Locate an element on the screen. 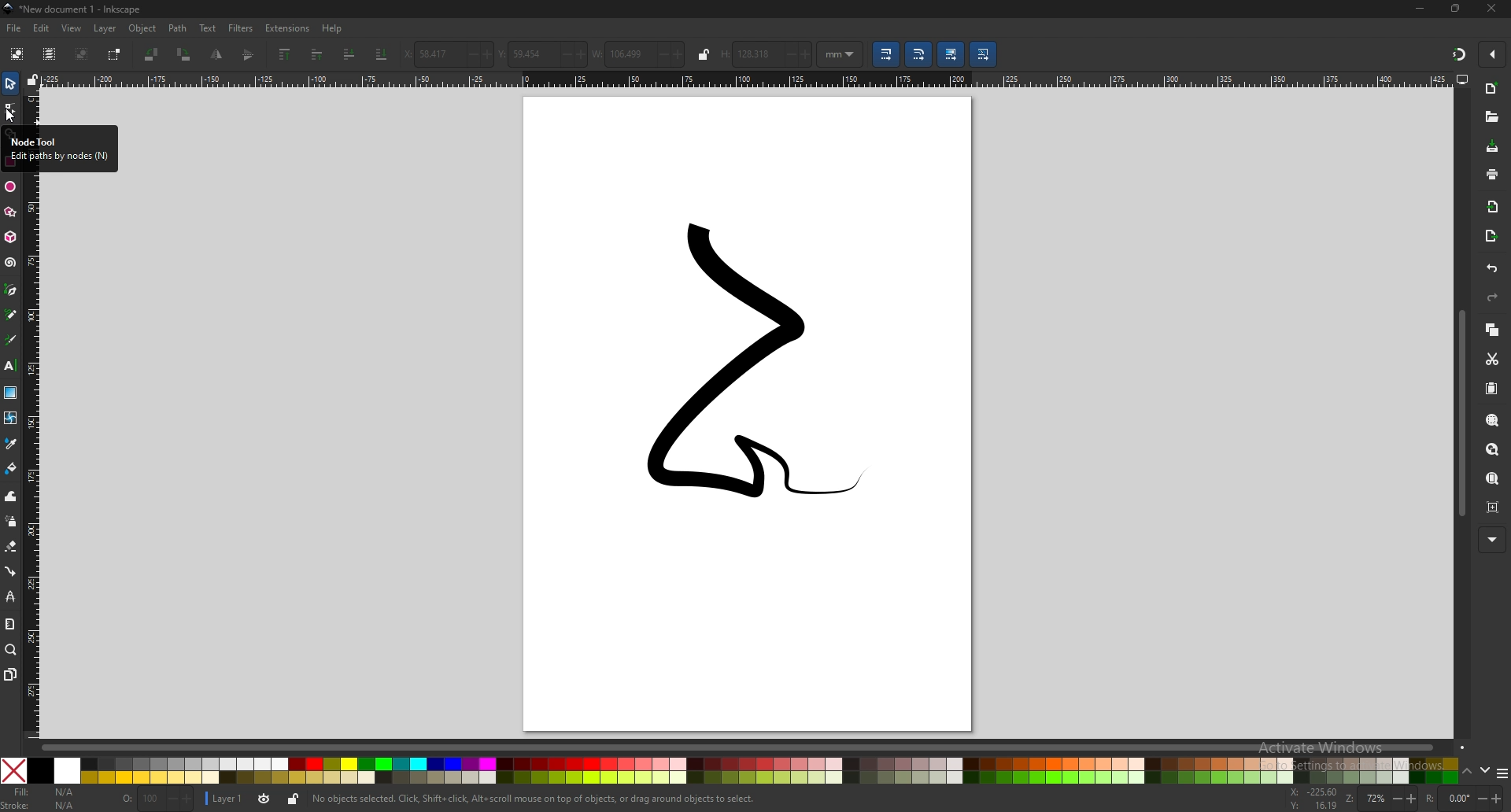 This screenshot has height=812, width=1511. selector is located at coordinates (10, 84).